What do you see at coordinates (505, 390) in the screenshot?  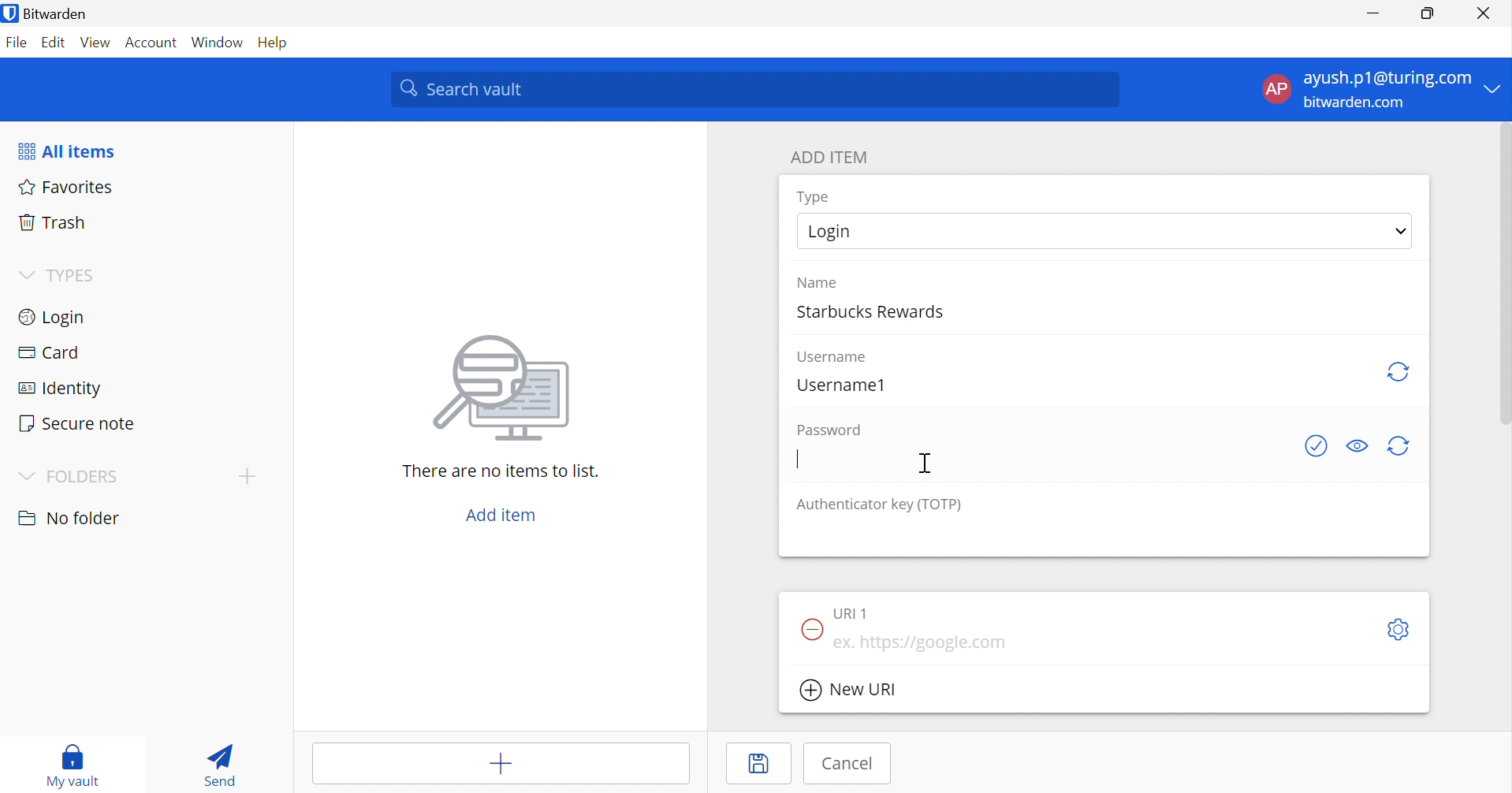 I see `Image` at bounding box center [505, 390].